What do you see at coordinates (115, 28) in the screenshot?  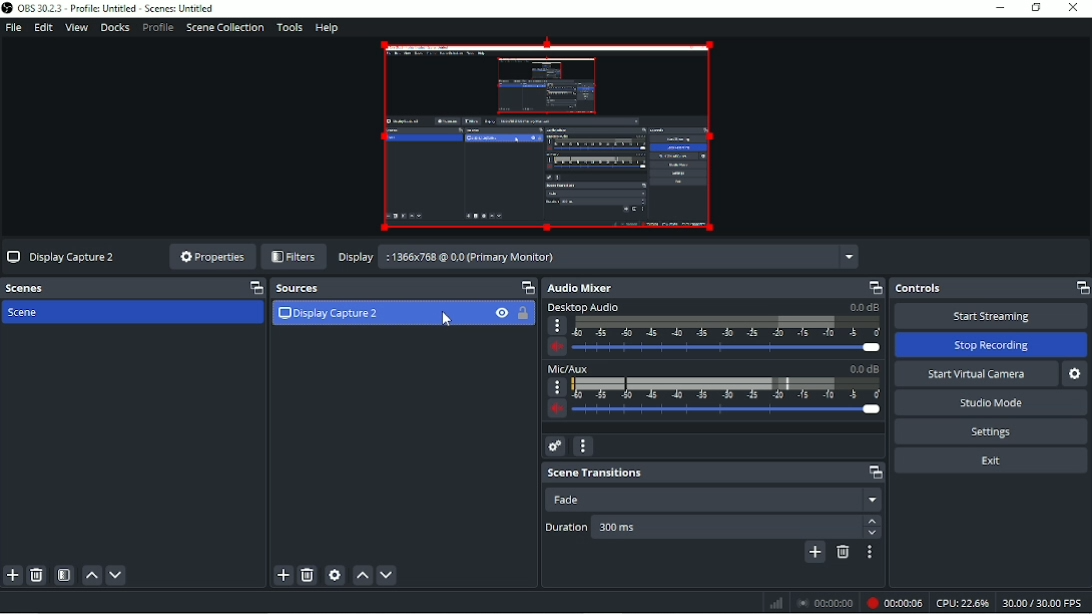 I see `Docks` at bounding box center [115, 28].